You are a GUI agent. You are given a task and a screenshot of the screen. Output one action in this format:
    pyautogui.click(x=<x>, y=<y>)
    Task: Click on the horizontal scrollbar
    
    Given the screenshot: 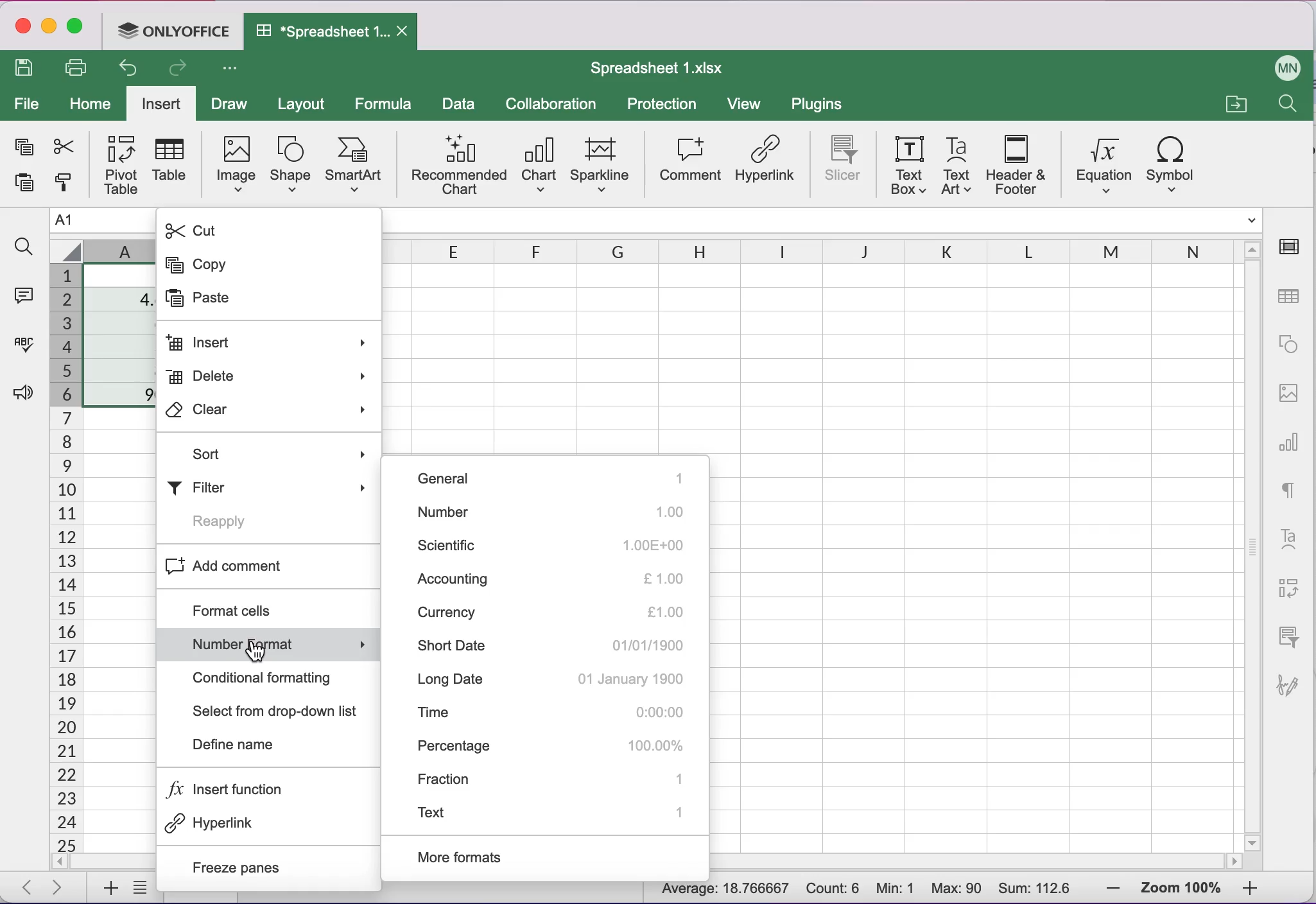 What is the action you would take?
    pyautogui.click(x=973, y=864)
    